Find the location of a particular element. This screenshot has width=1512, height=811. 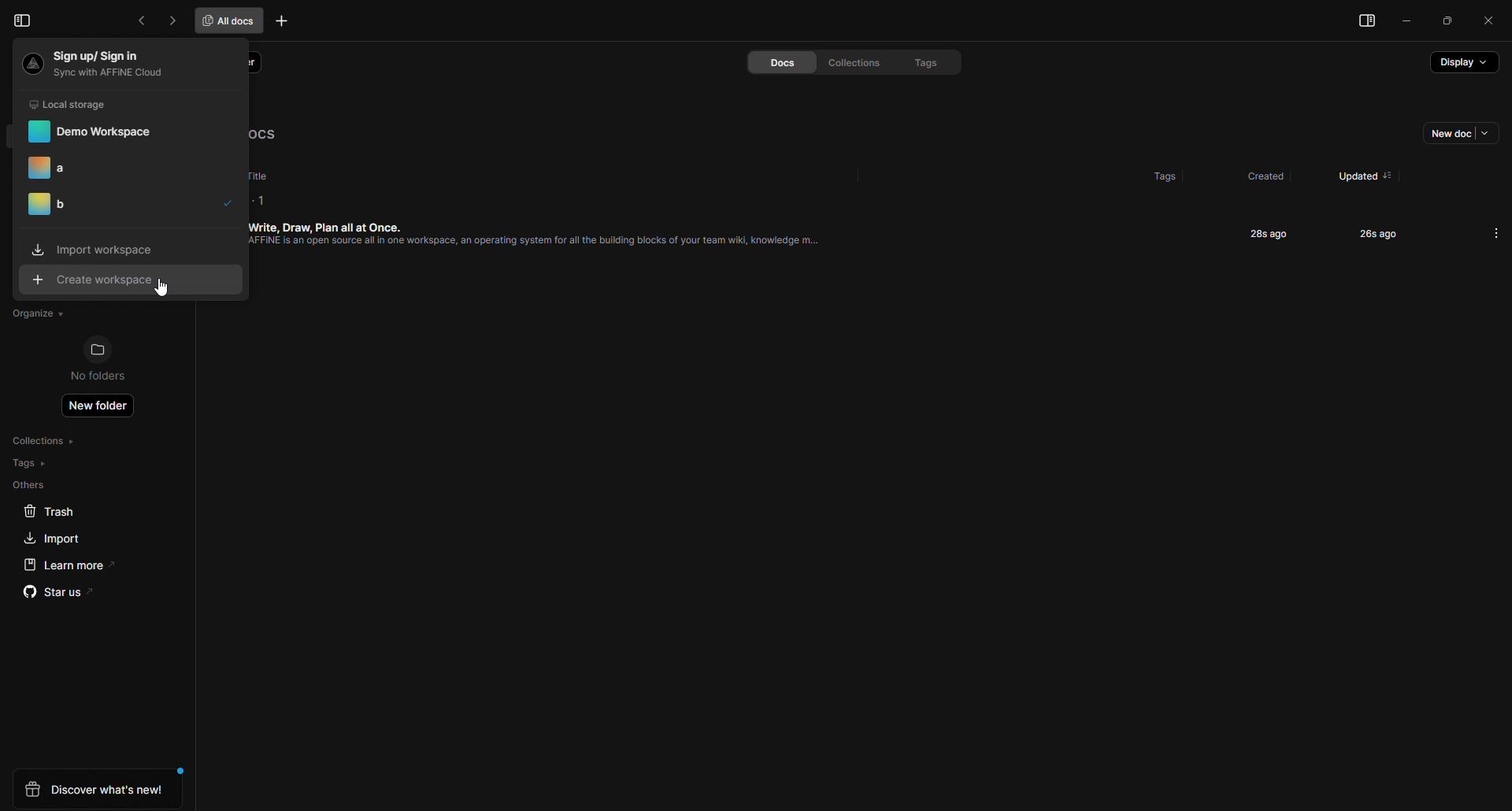

local storage is located at coordinates (72, 104).